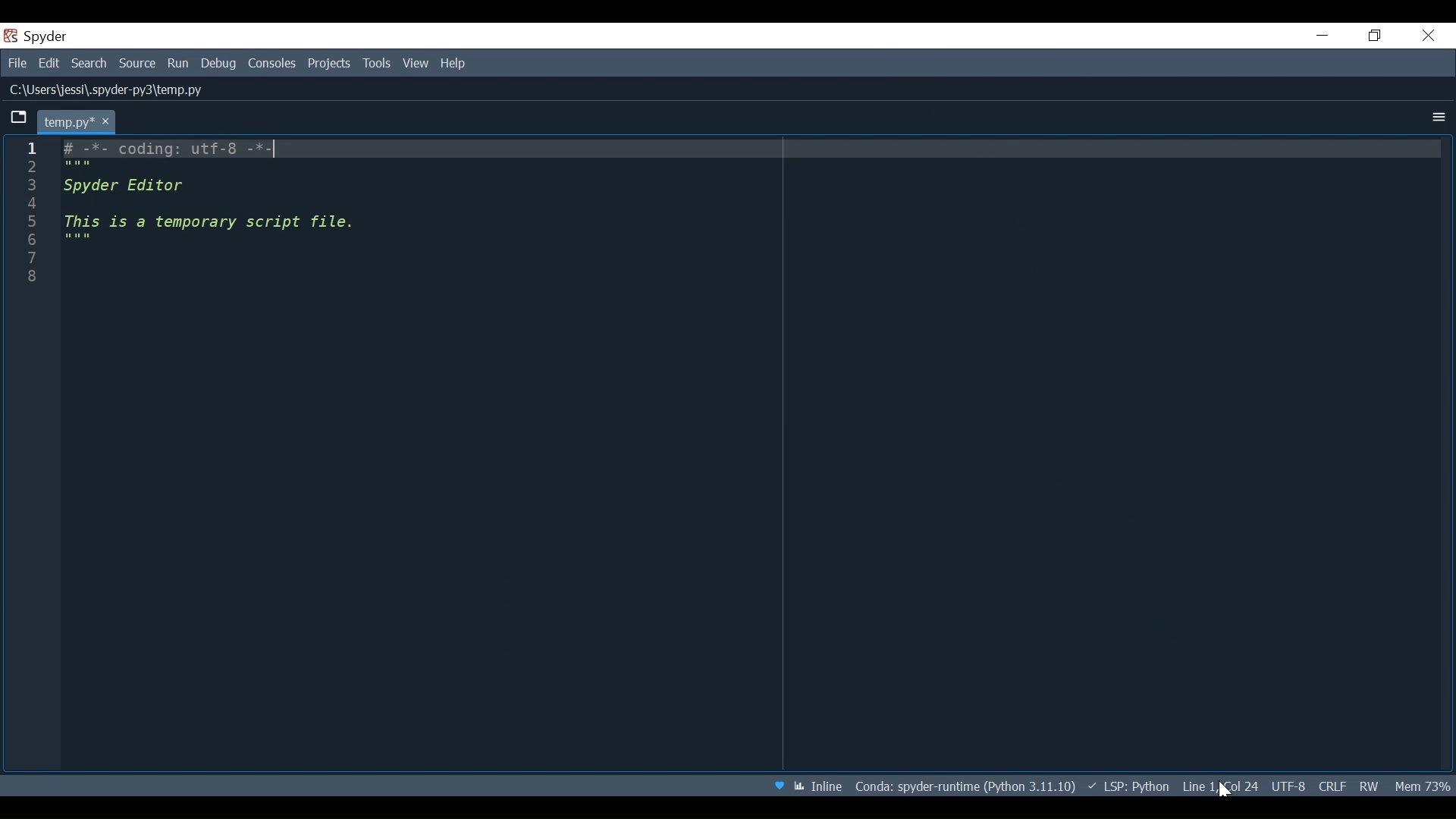 This screenshot has width=1456, height=819. Describe the element at coordinates (49, 63) in the screenshot. I see `Edit` at that location.